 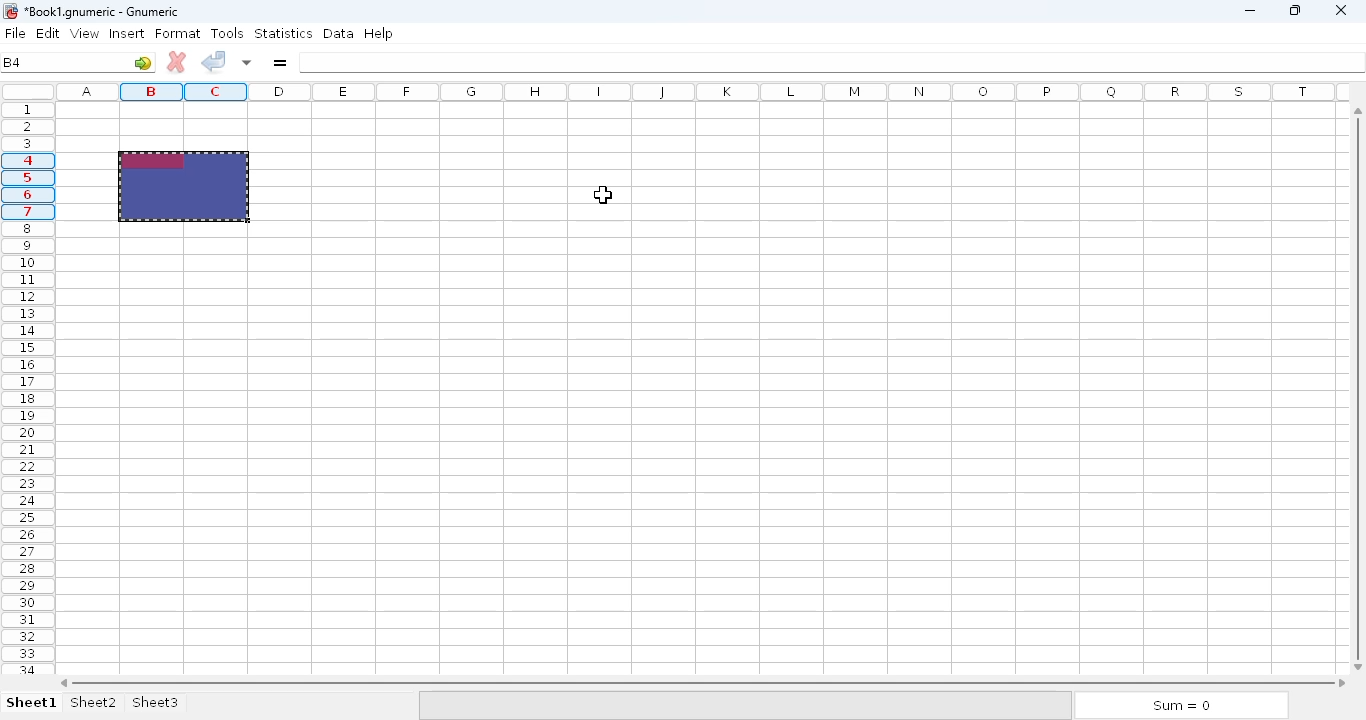 What do you see at coordinates (31, 702) in the screenshot?
I see `sheet 1` at bounding box center [31, 702].